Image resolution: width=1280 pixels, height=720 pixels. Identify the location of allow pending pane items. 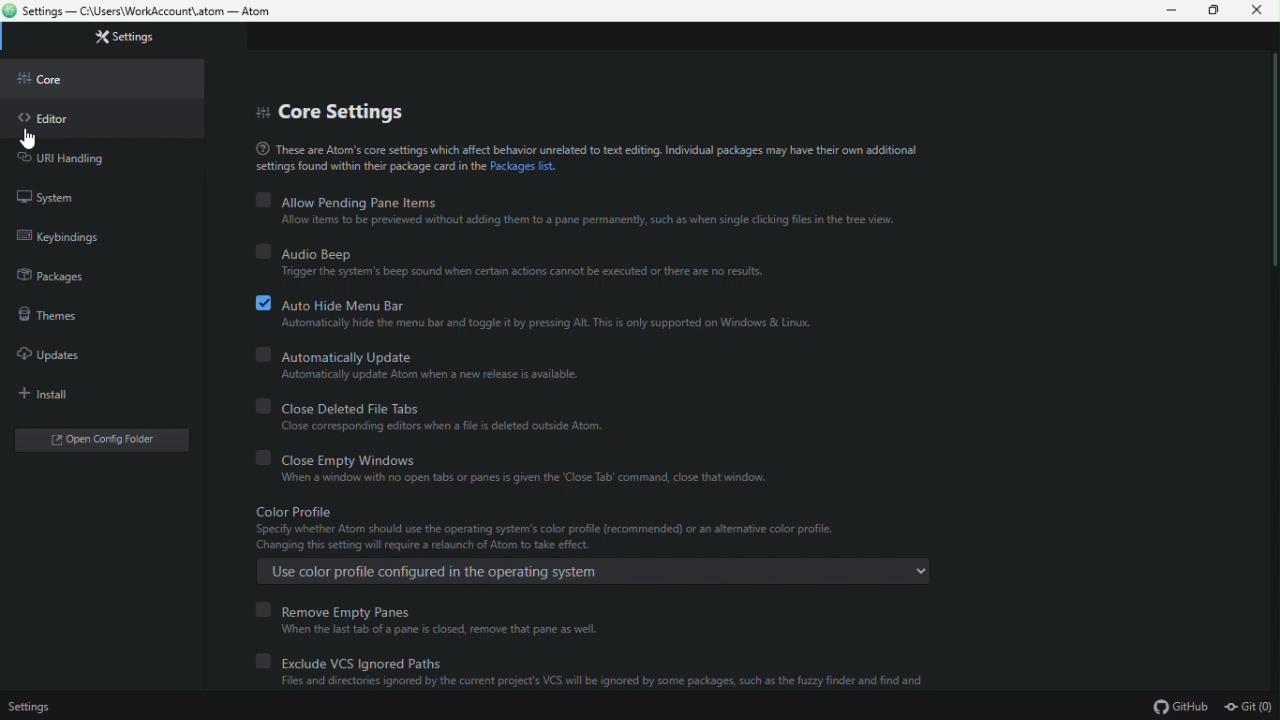
(577, 202).